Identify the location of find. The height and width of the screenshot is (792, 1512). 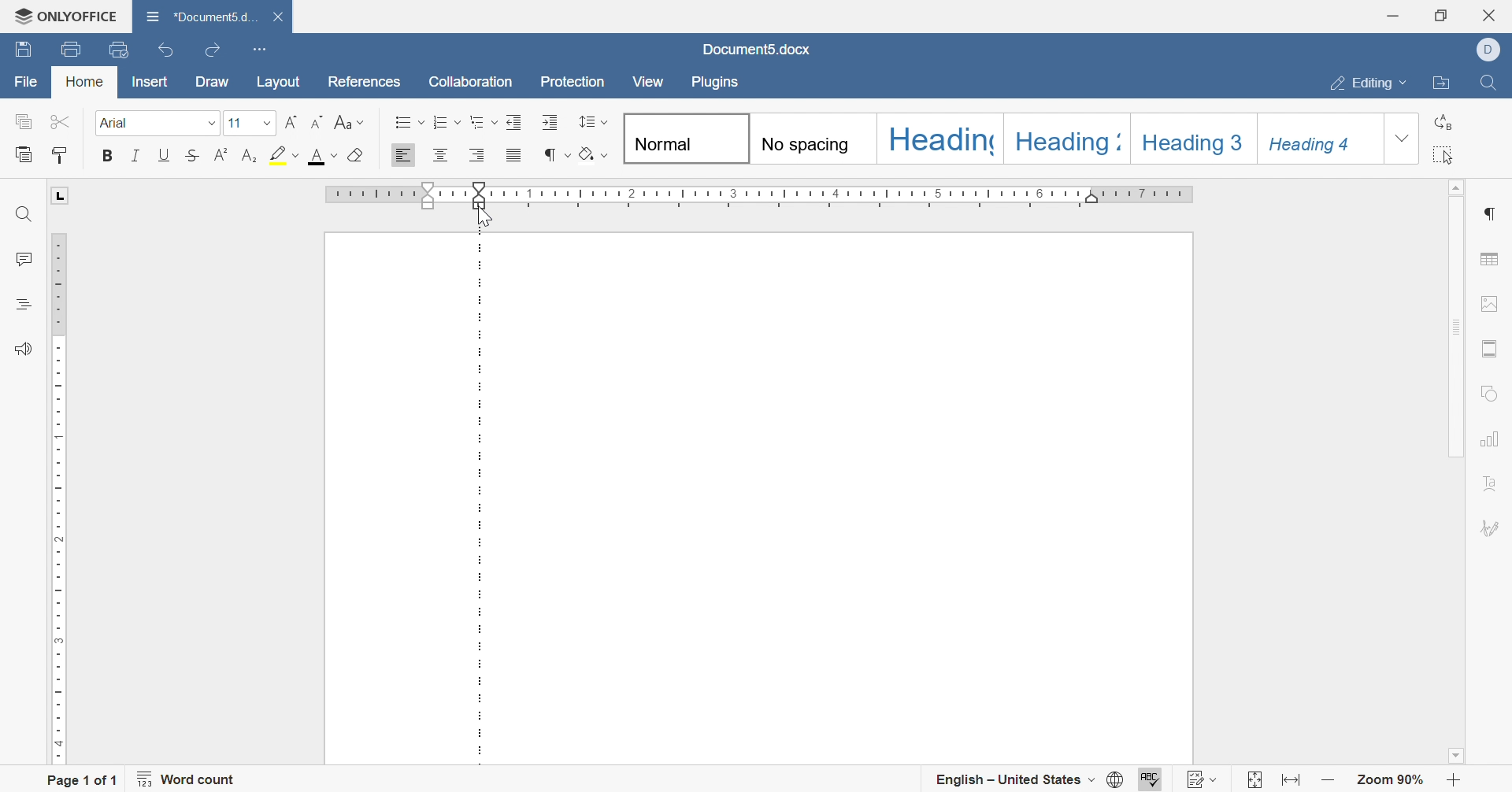
(24, 213).